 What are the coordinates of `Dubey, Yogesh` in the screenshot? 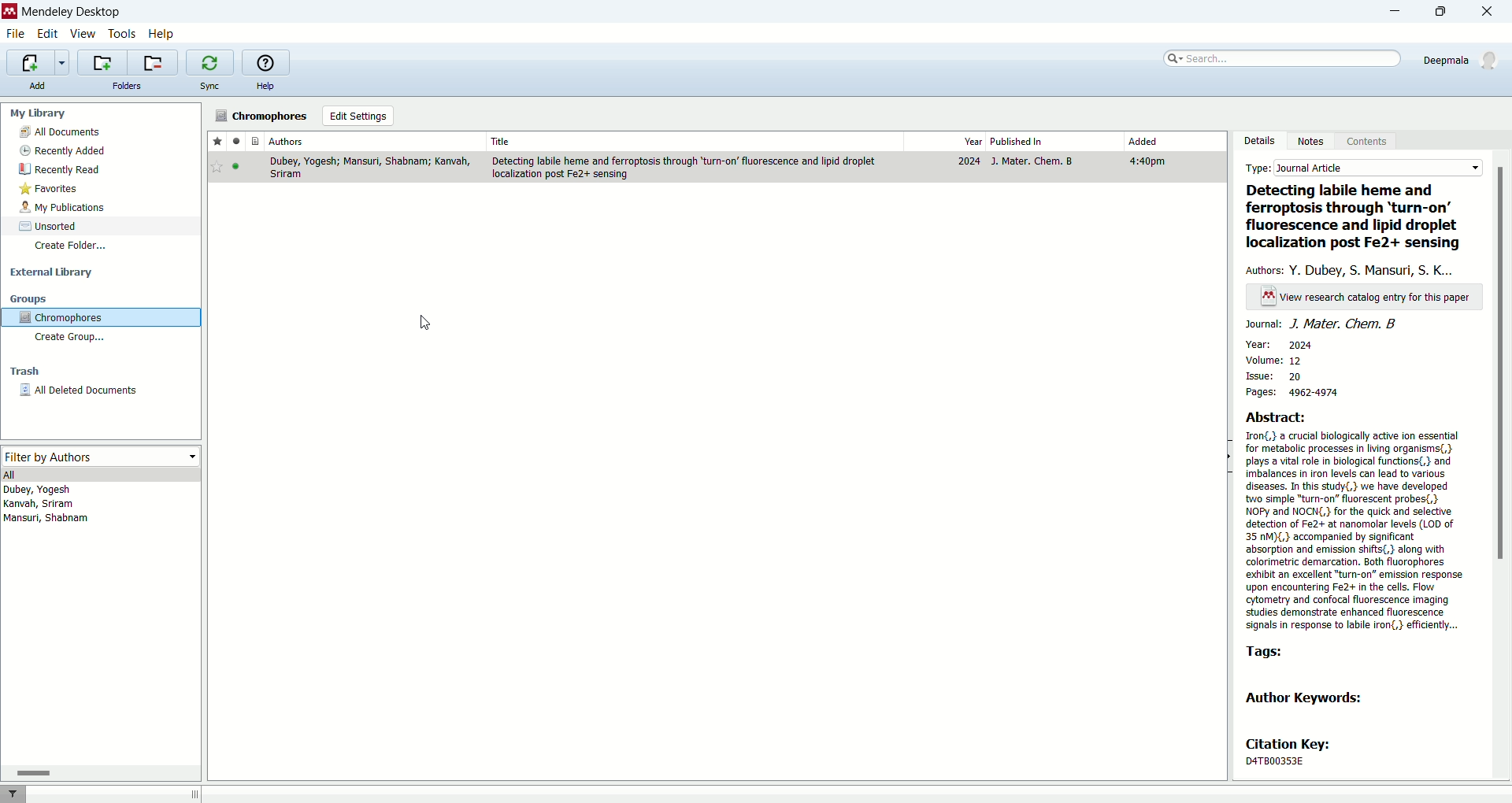 It's located at (42, 490).